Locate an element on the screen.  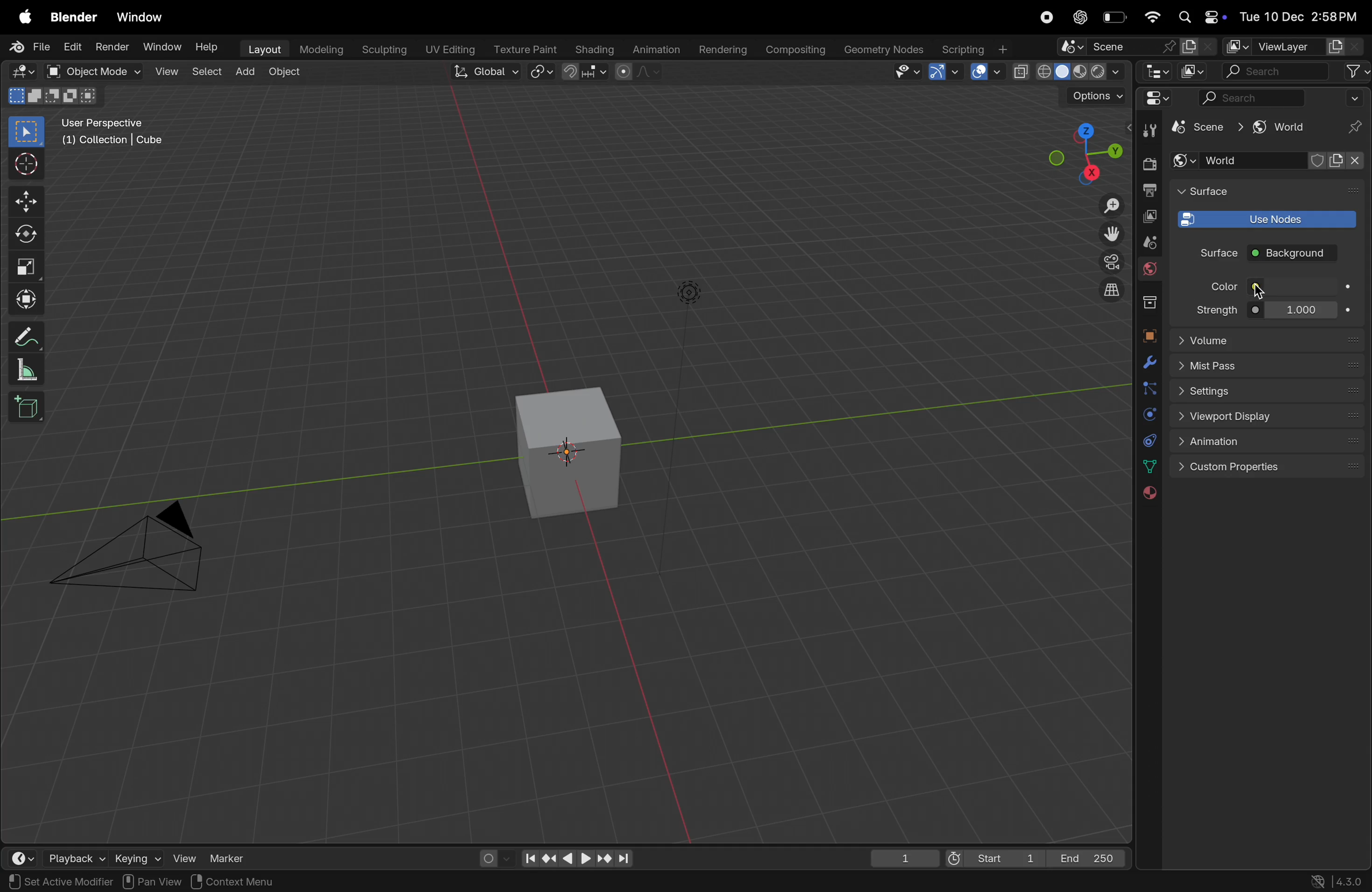
Snap is located at coordinates (587, 72).